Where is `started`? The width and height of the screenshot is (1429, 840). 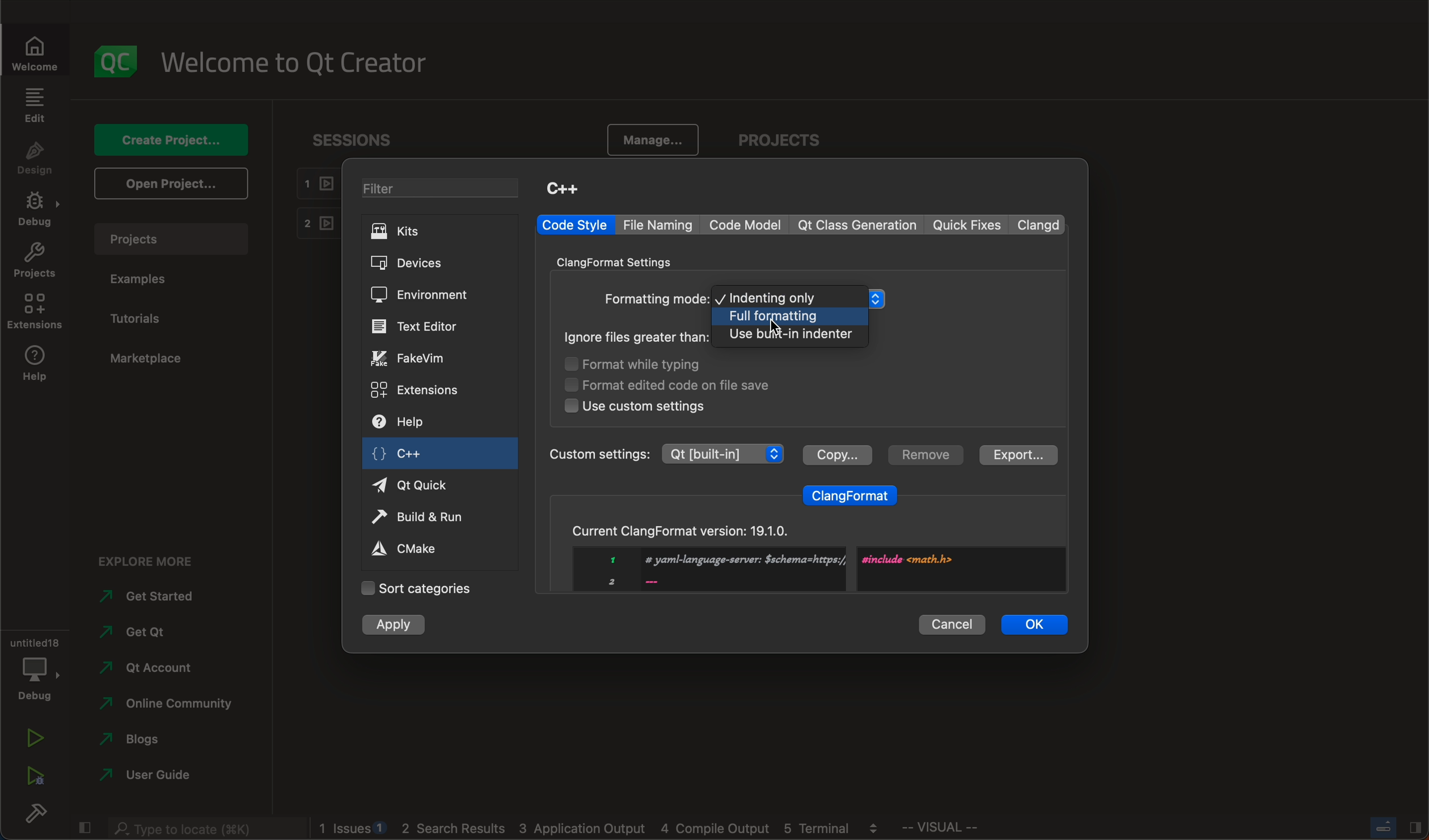 started is located at coordinates (157, 596).